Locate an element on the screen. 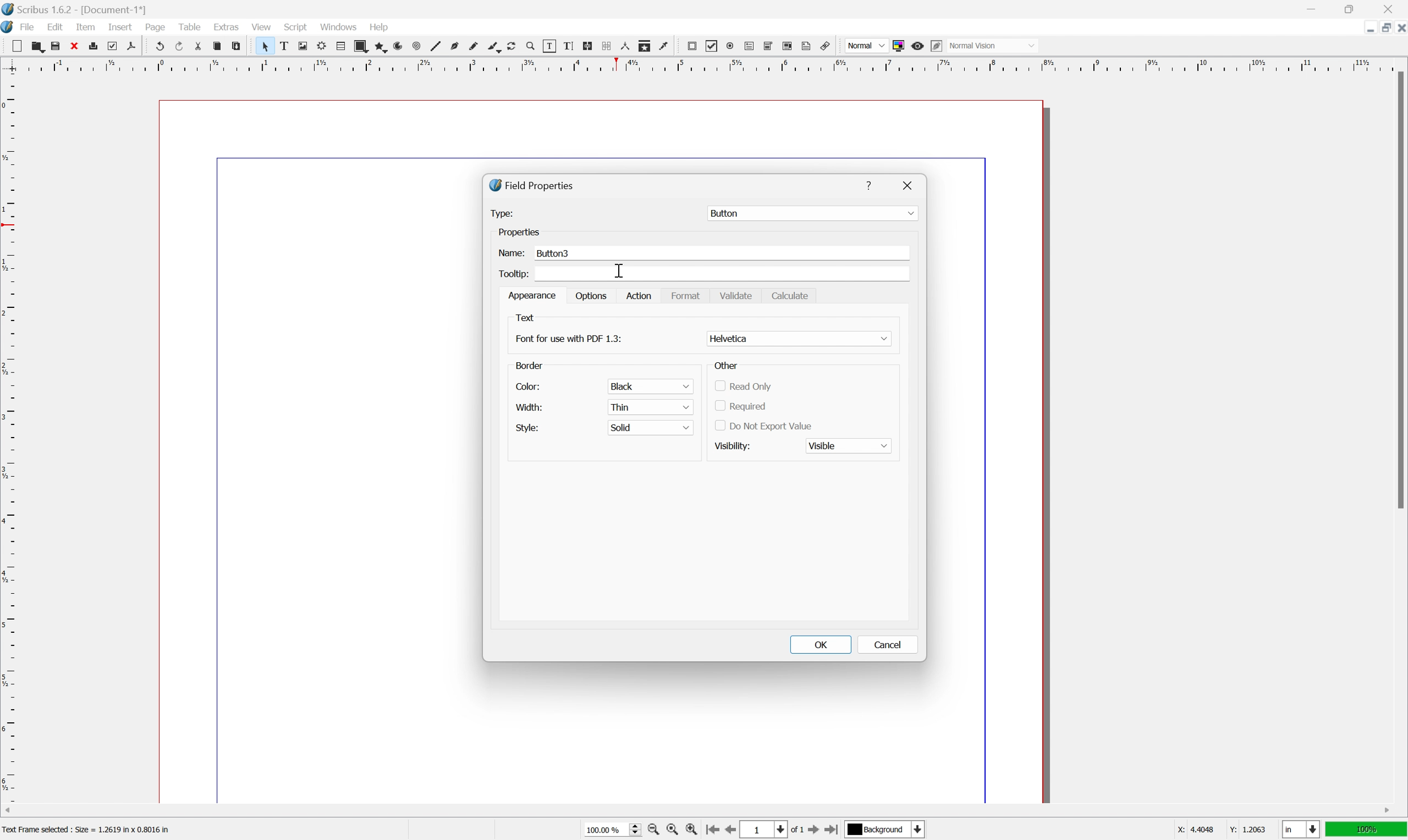  pdf push button is located at coordinates (692, 45).